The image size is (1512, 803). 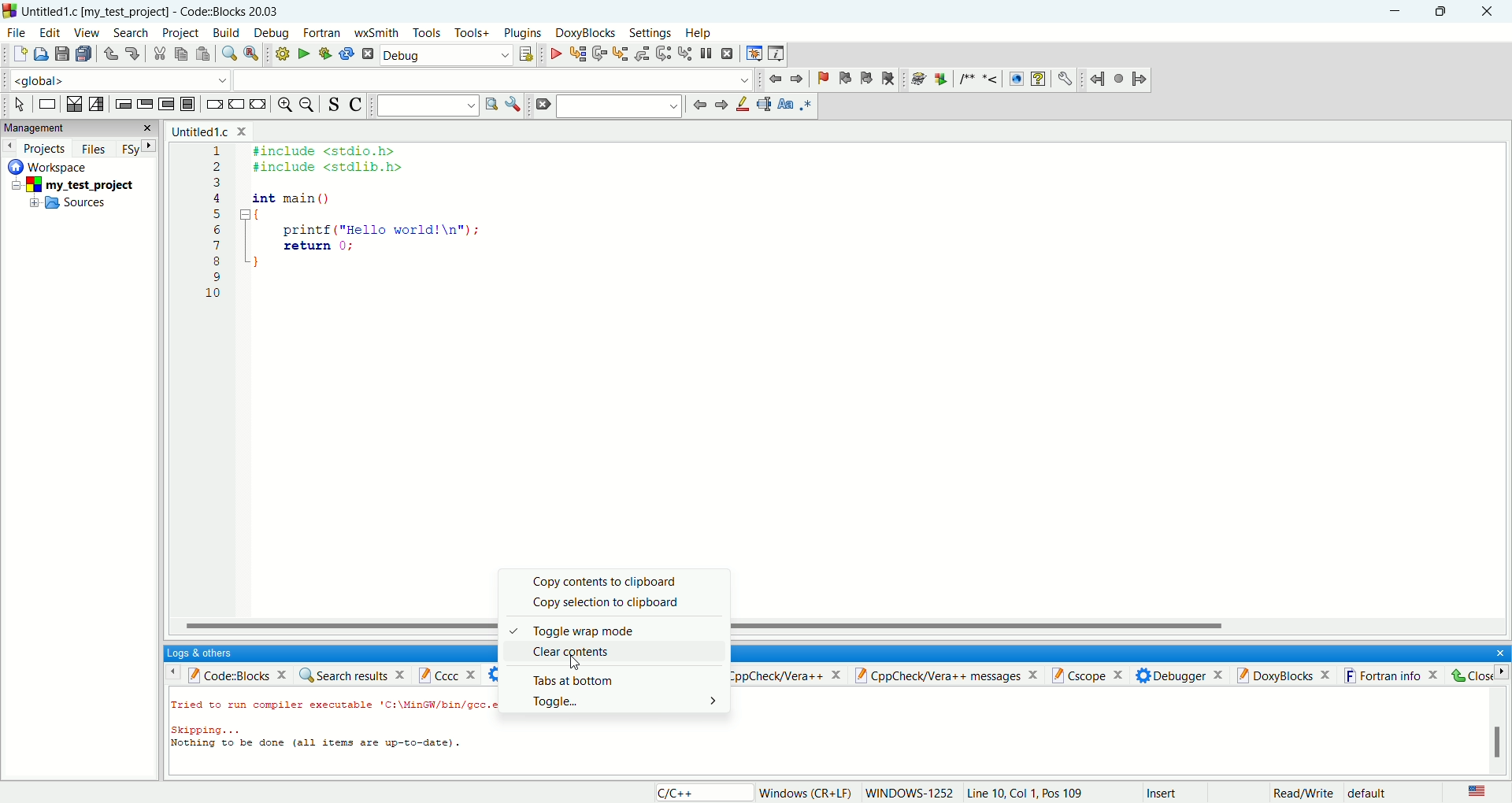 I want to click on text search, so click(x=428, y=105).